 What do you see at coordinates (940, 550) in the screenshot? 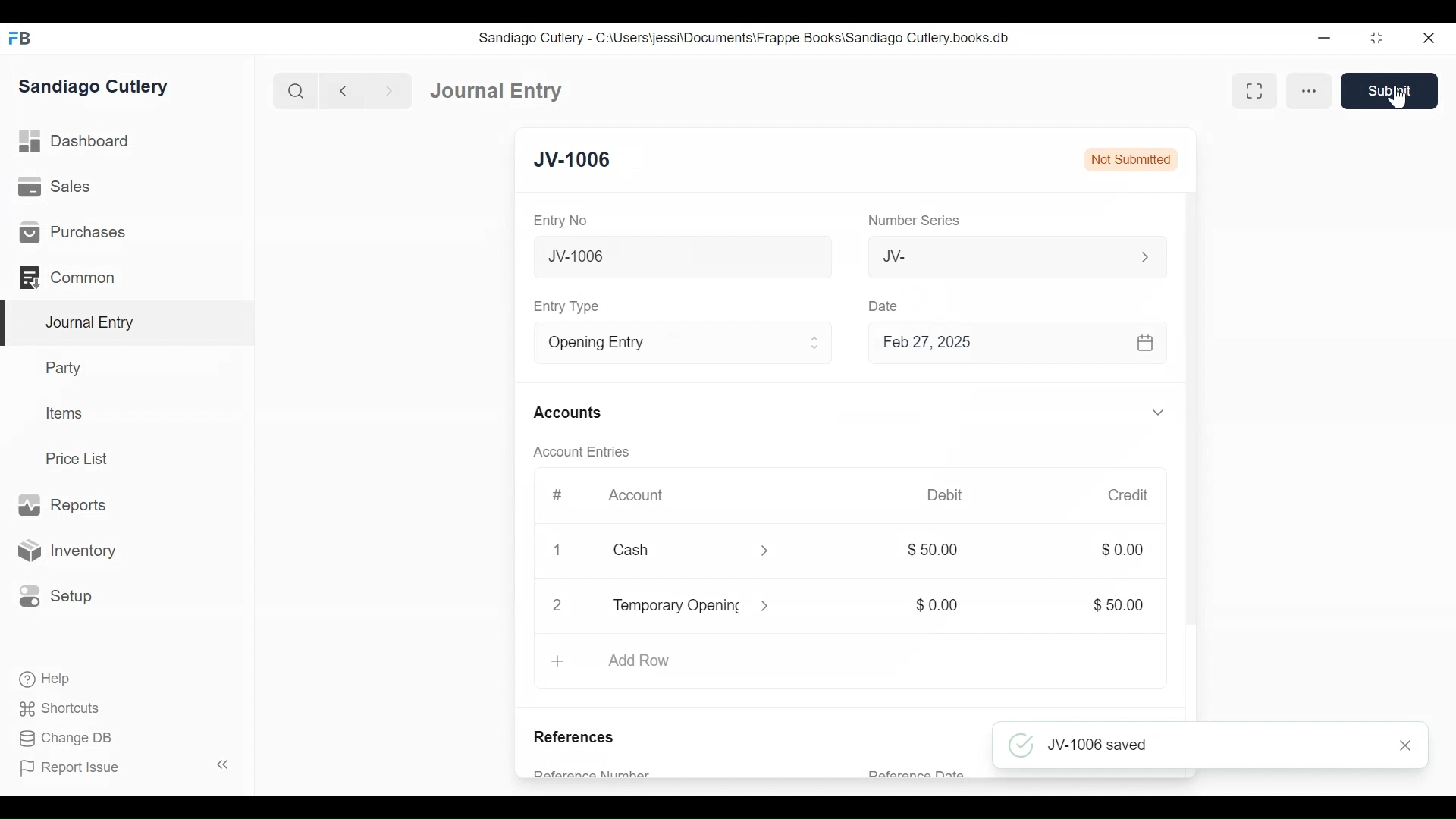
I see `$50.00` at bounding box center [940, 550].